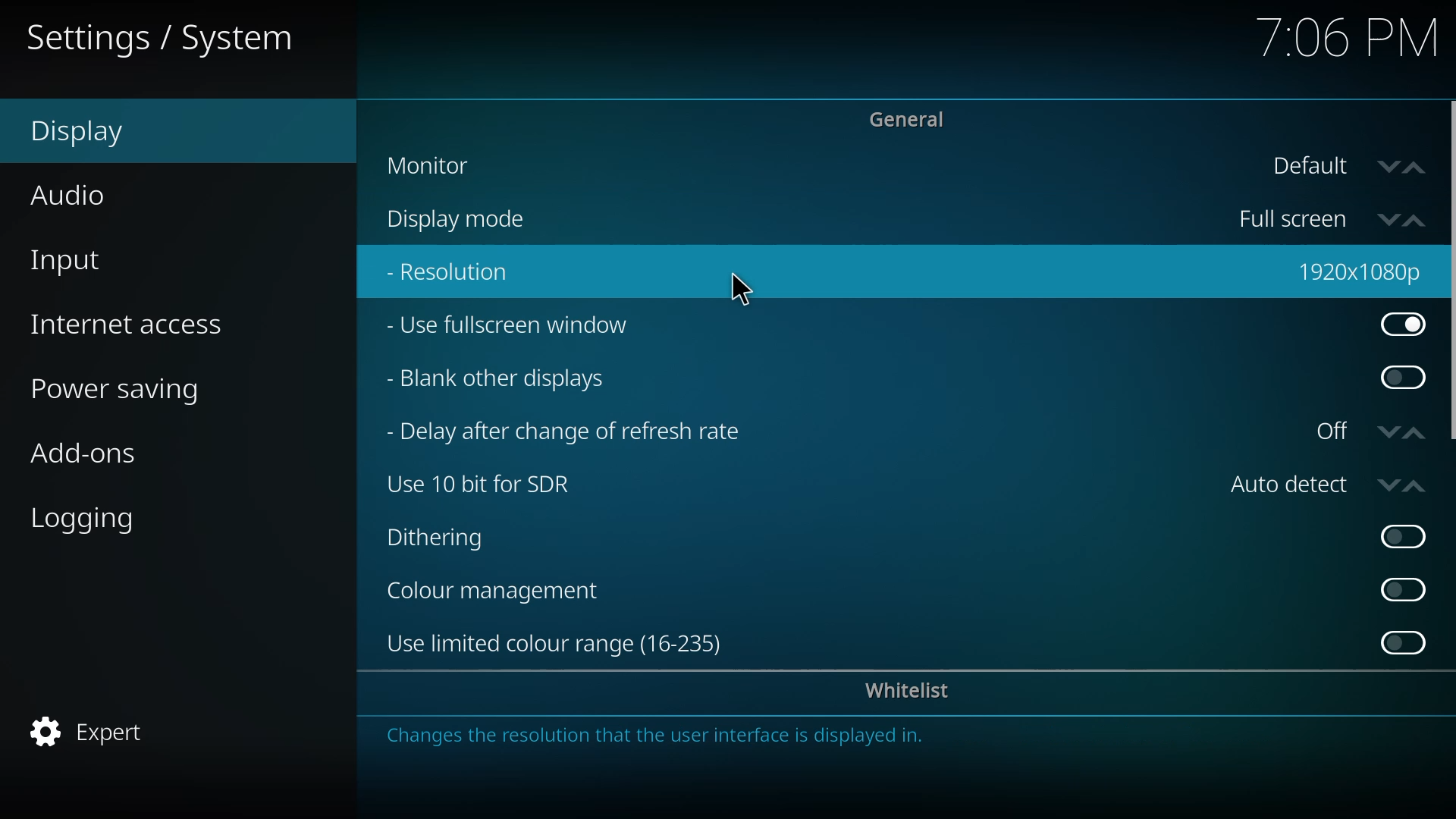 Image resolution: width=1456 pixels, height=819 pixels. What do you see at coordinates (913, 692) in the screenshot?
I see `whitelist` at bounding box center [913, 692].